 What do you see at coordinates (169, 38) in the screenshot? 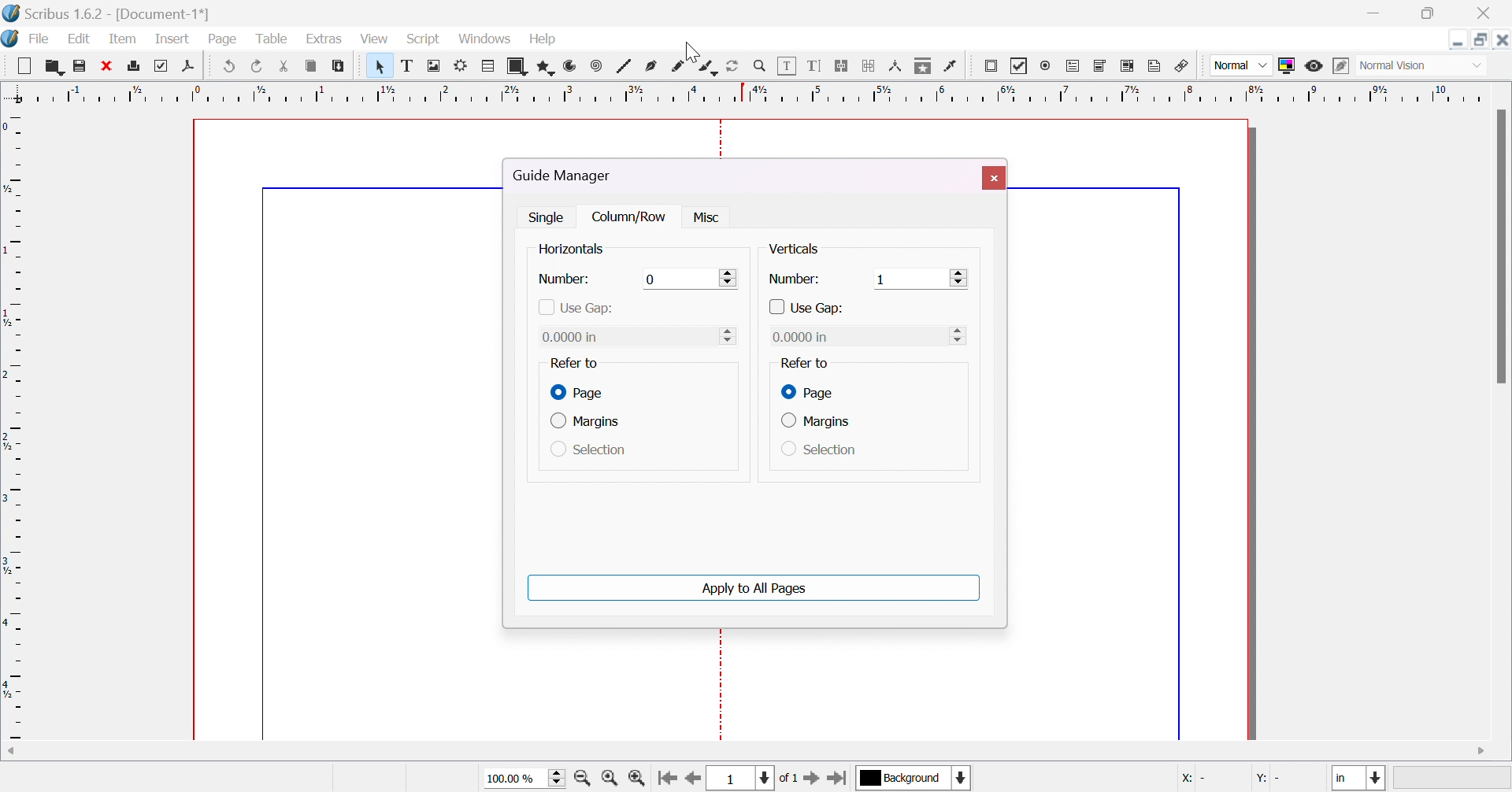
I see `insert` at bounding box center [169, 38].